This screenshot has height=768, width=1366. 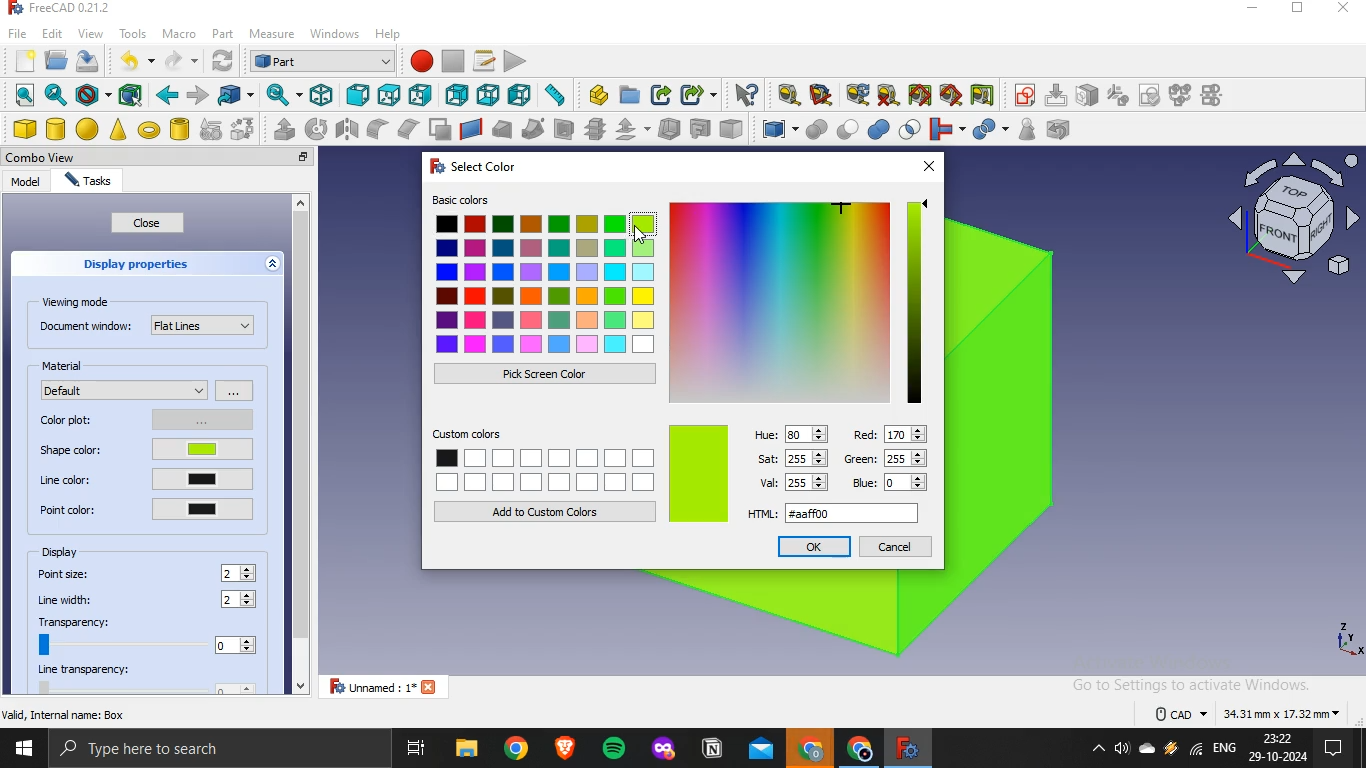 What do you see at coordinates (88, 129) in the screenshot?
I see `sphere` at bounding box center [88, 129].